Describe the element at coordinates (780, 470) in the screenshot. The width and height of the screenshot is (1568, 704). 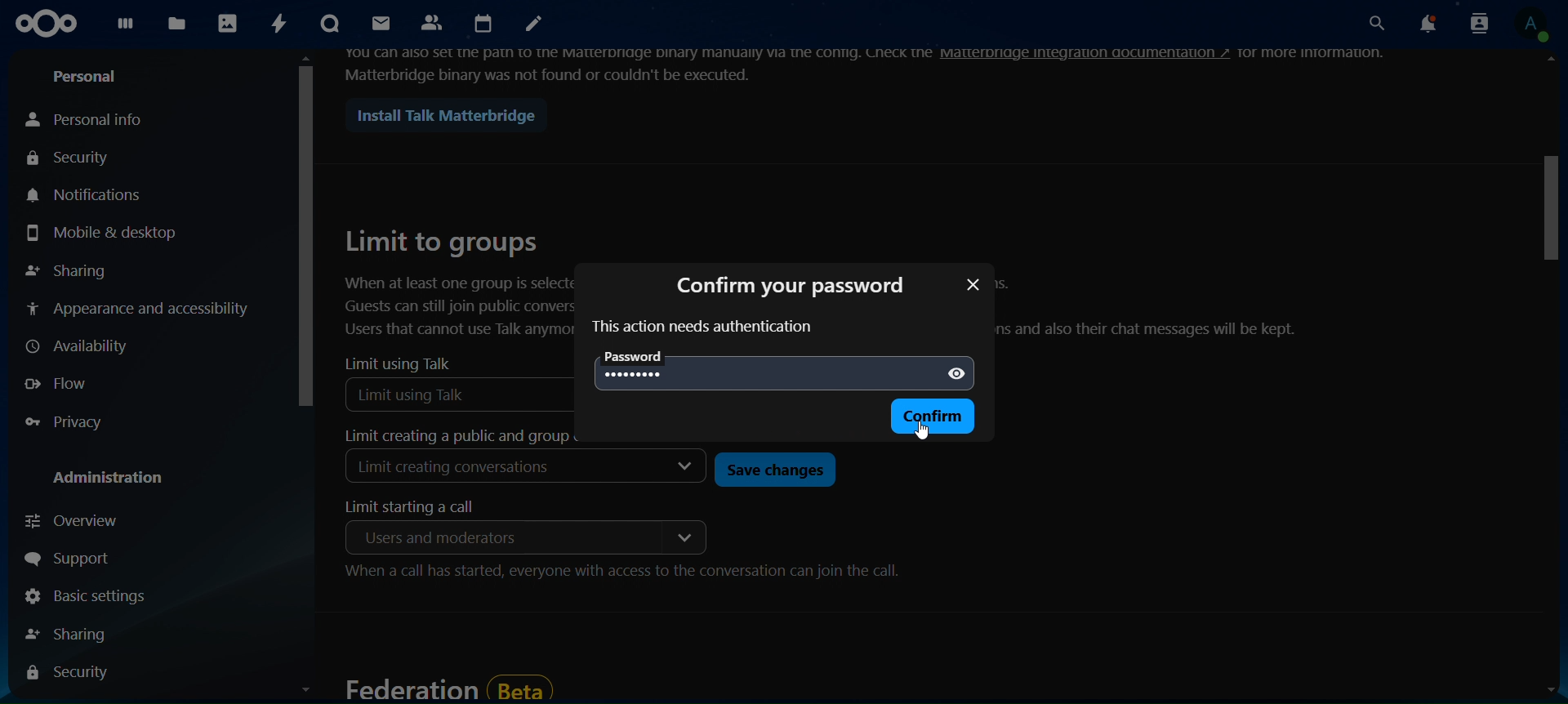
I see `save changes` at that location.